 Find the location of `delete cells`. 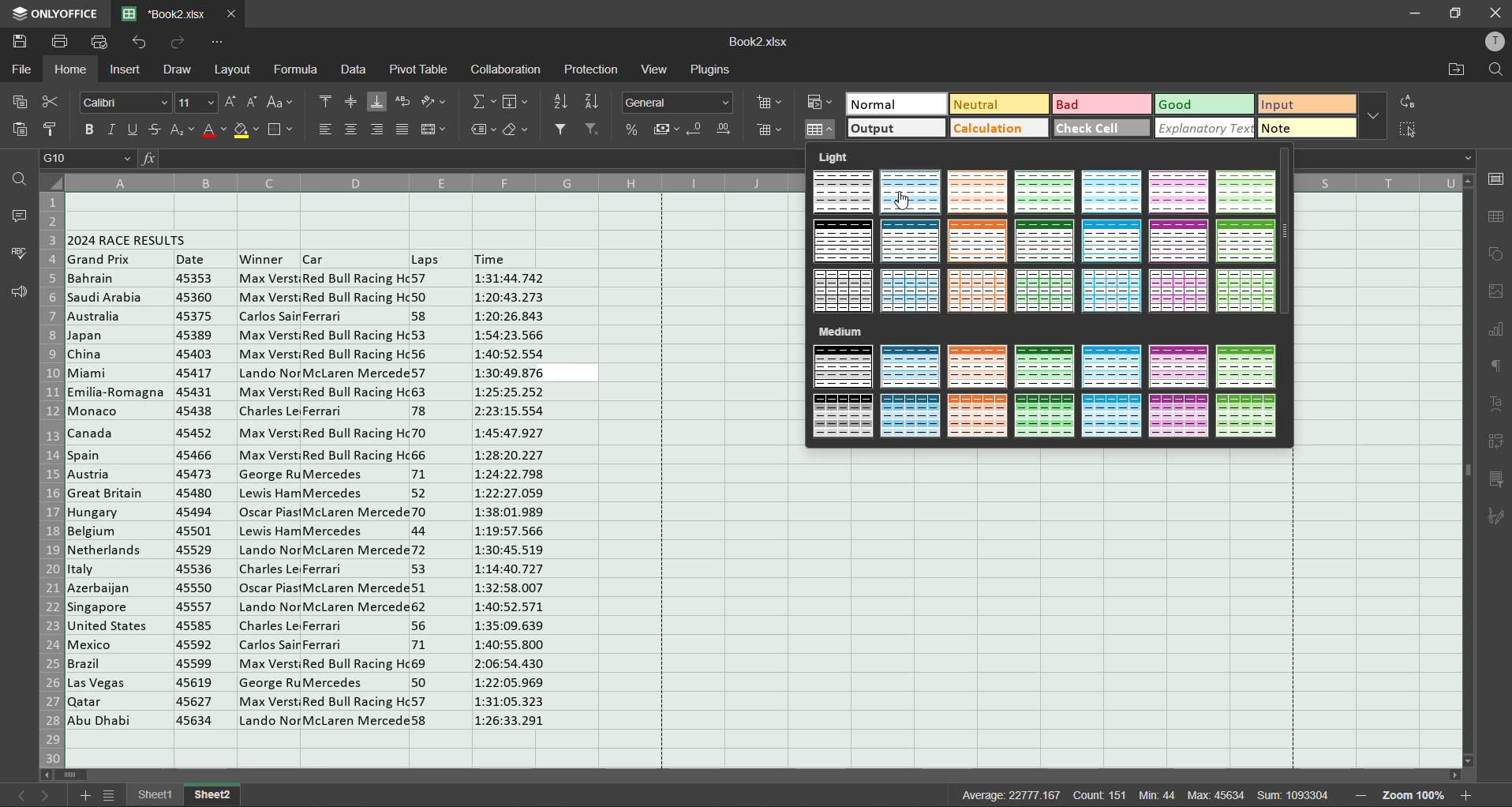

delete cells is located at coordinates (770, 130).